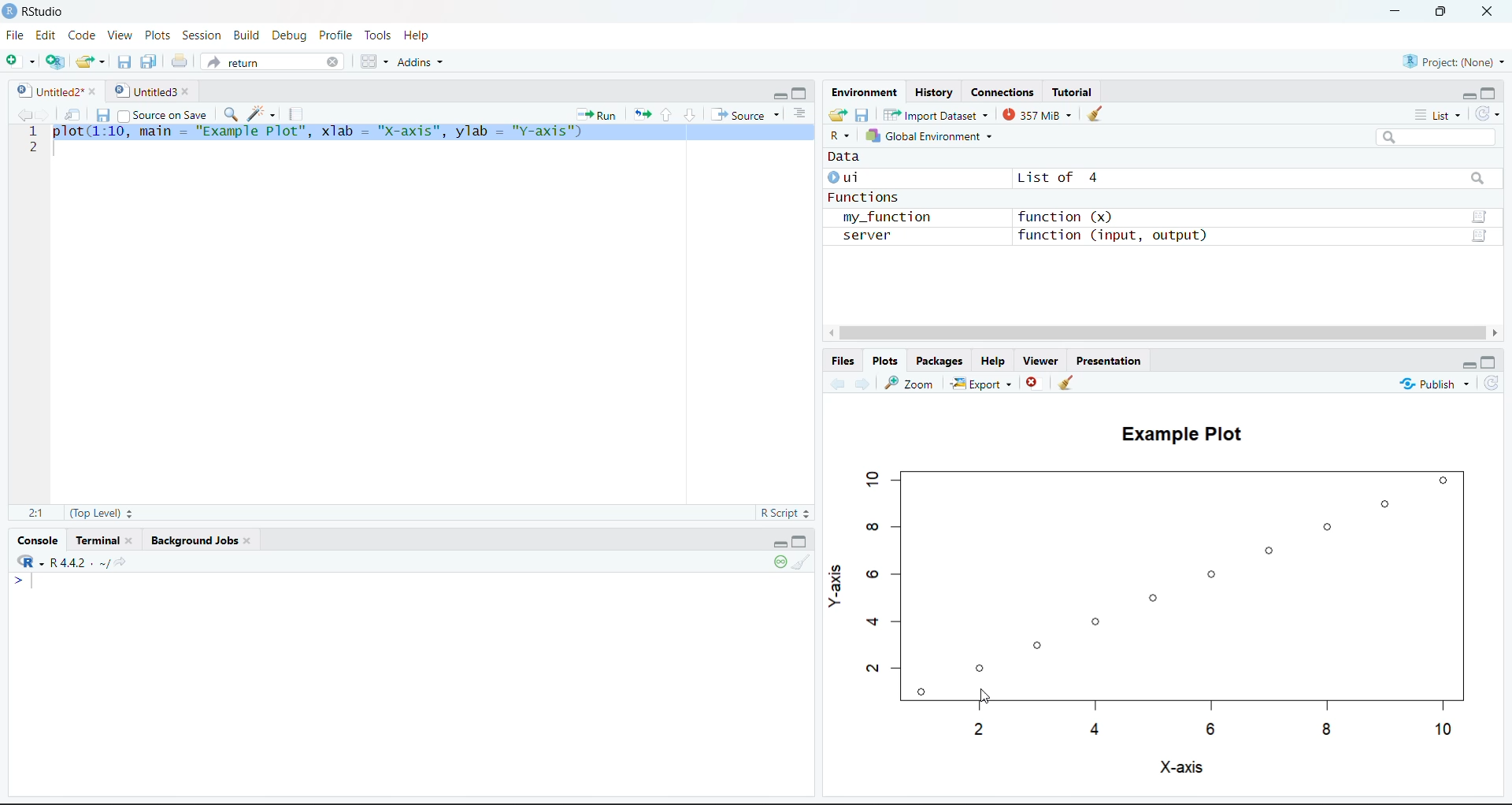 The width and height of the screenshot is (1512, 805). What do you see at coordinates (372, 61) in the screenshot?
I see `Workspace panes` at bounding box center [372, 61].